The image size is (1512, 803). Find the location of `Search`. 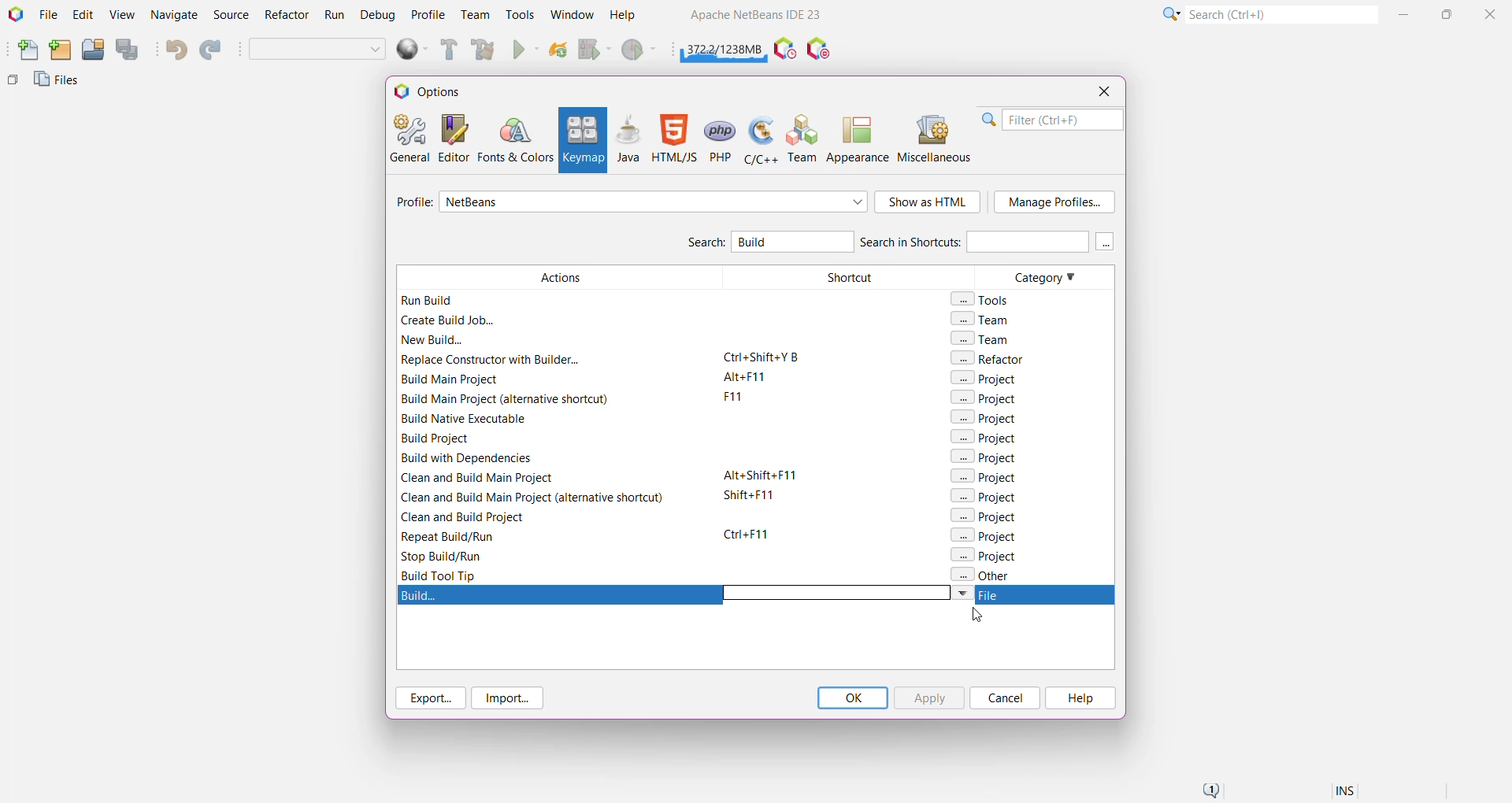

Search is located at coordinates (1280, 13).